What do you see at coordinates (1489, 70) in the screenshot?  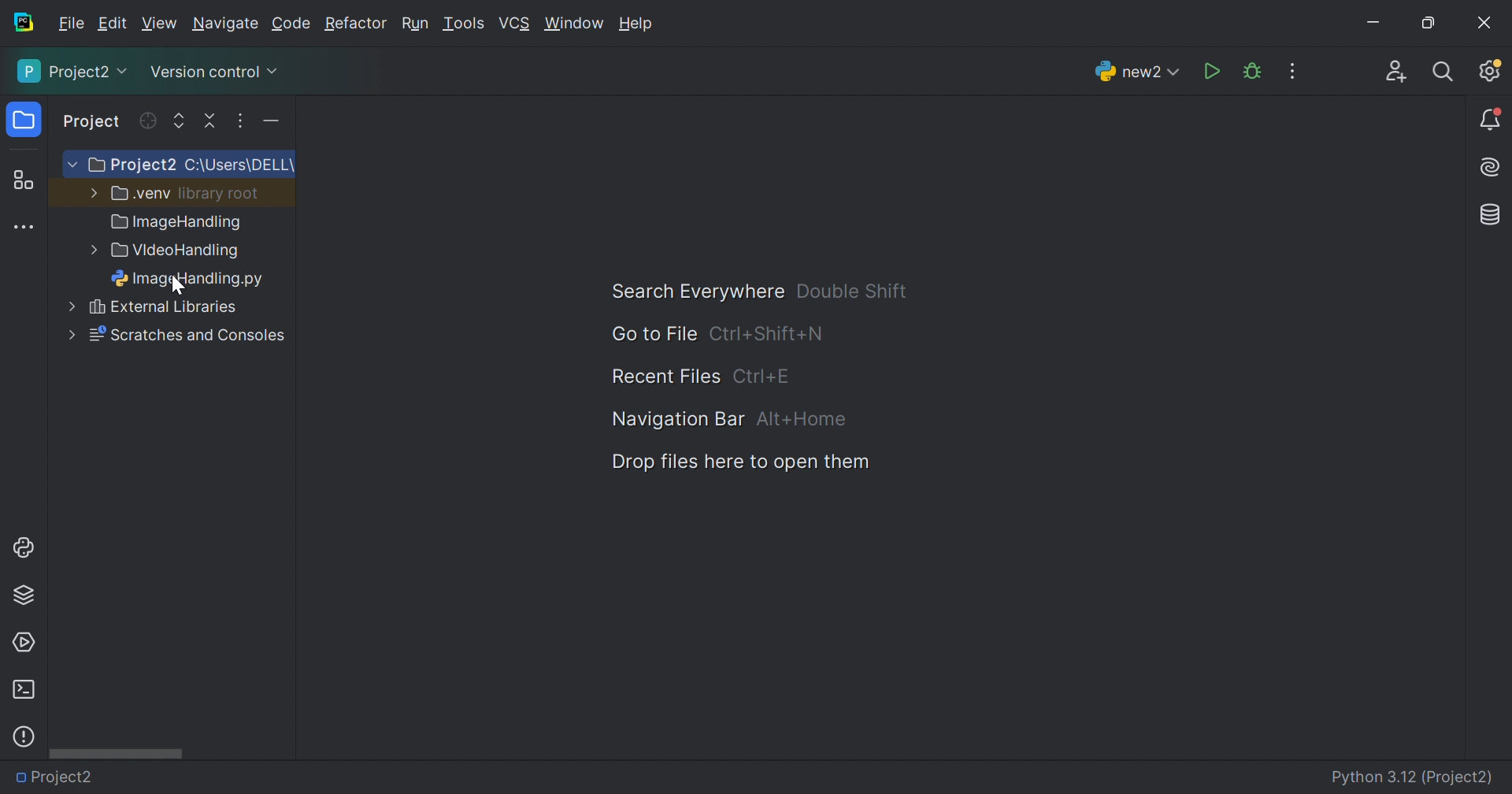 I see `Updates available. IDE and Project Settings.` at bounding box center [1489, 70].